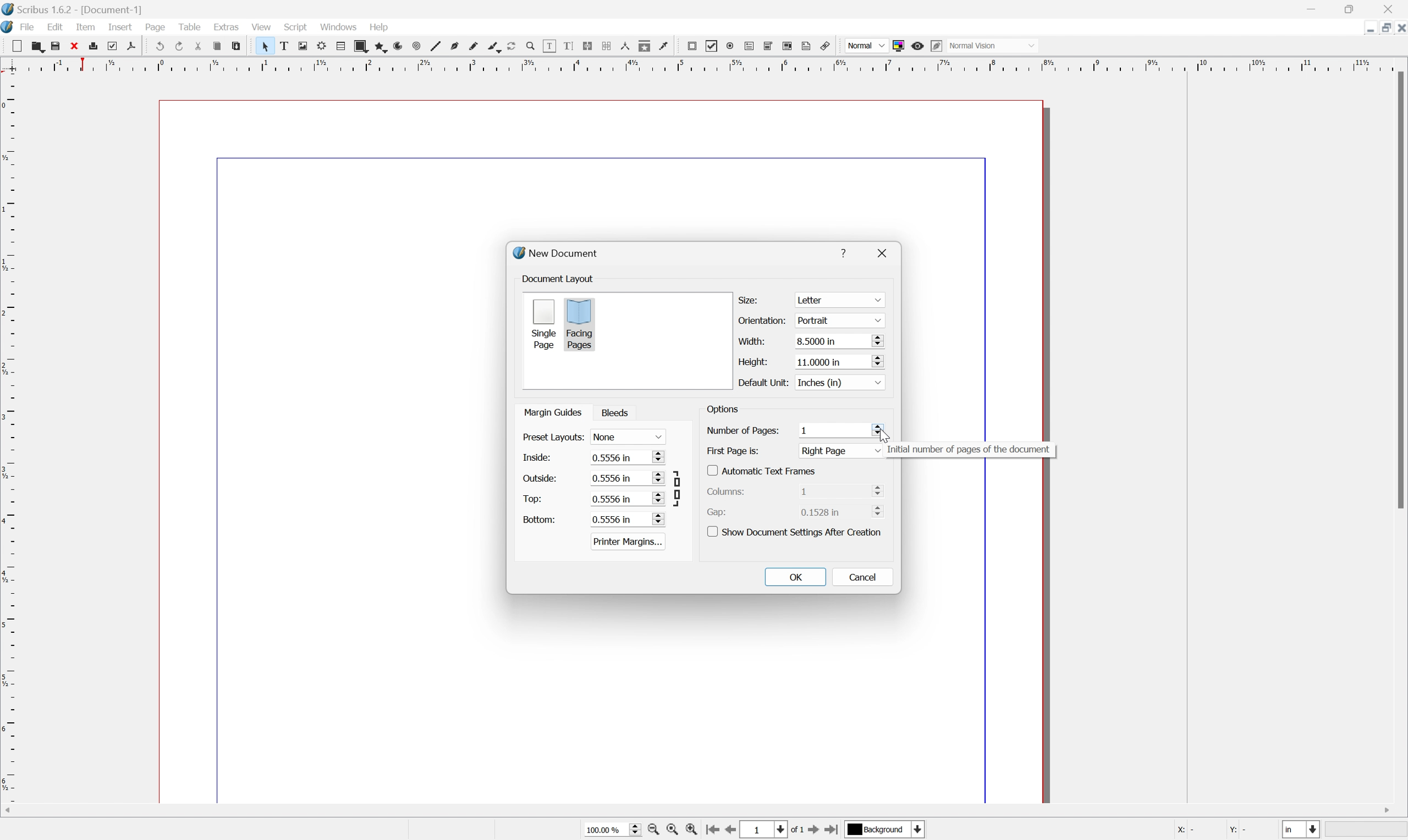 This screenshot has height=840, width=1408. What do you see at coordinates (842, 451) in the screenshot?
I see `First Page is:` at bounding box center [842, 451].